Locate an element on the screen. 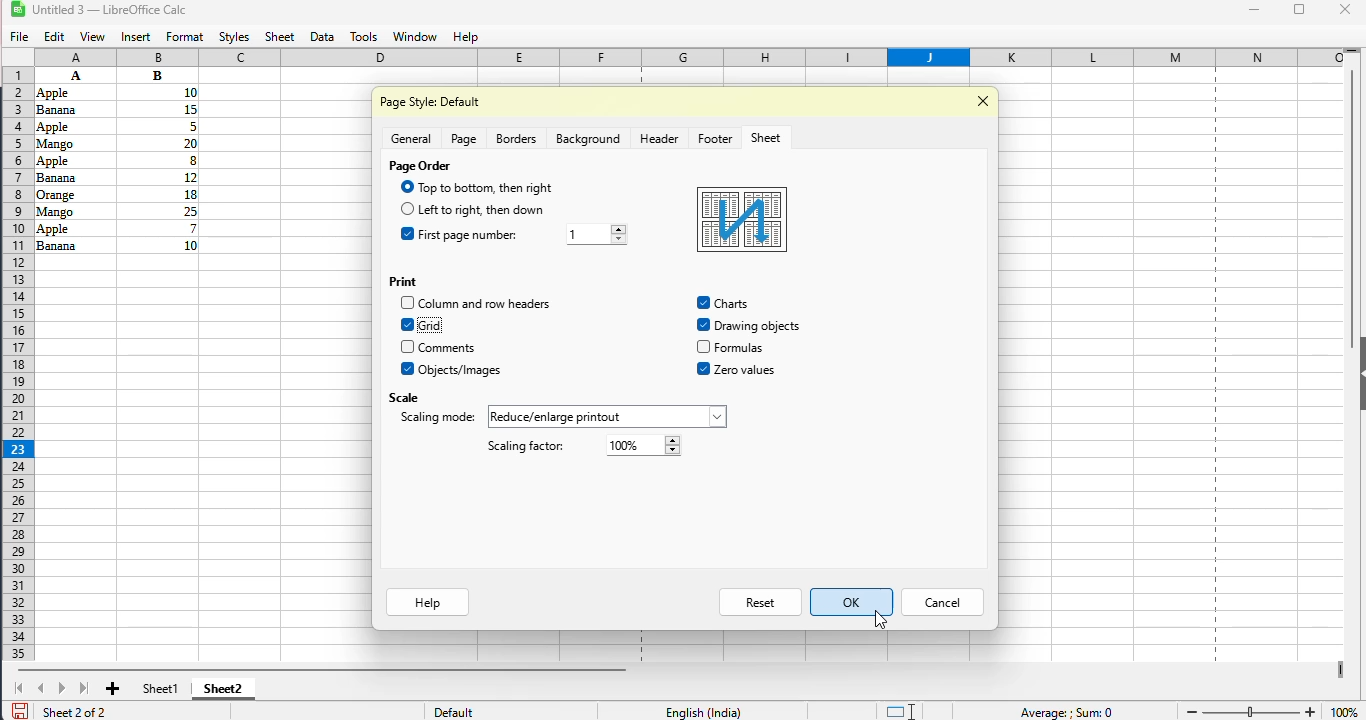 The height and width of the screenshot is (720, 1366).  is located at coordinates (735, 304).